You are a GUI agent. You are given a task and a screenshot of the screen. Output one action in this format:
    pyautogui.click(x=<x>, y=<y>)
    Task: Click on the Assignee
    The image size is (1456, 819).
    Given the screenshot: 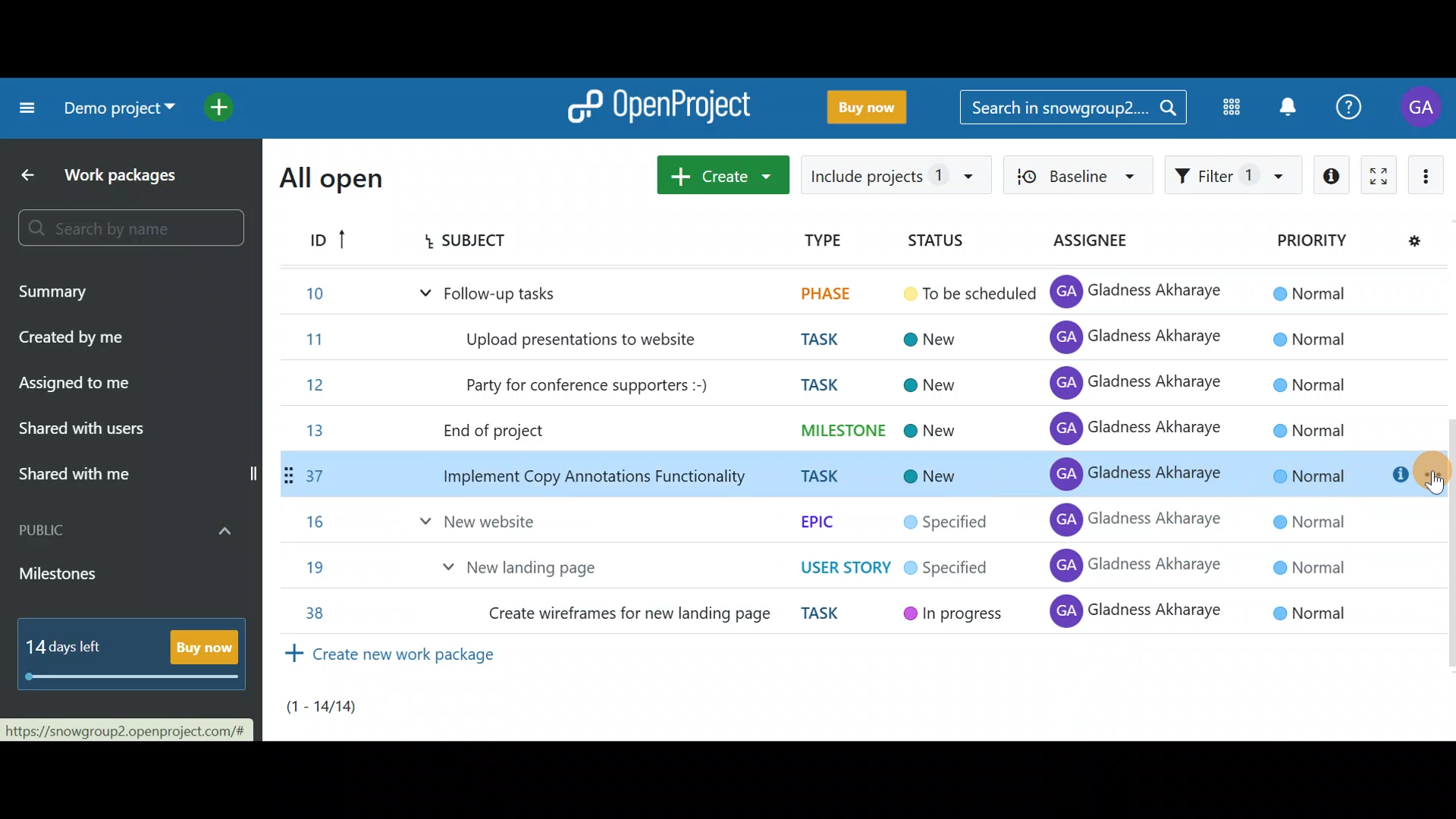 What is the action you would take?
    pyautogui.click(x=1081, y=241)
    